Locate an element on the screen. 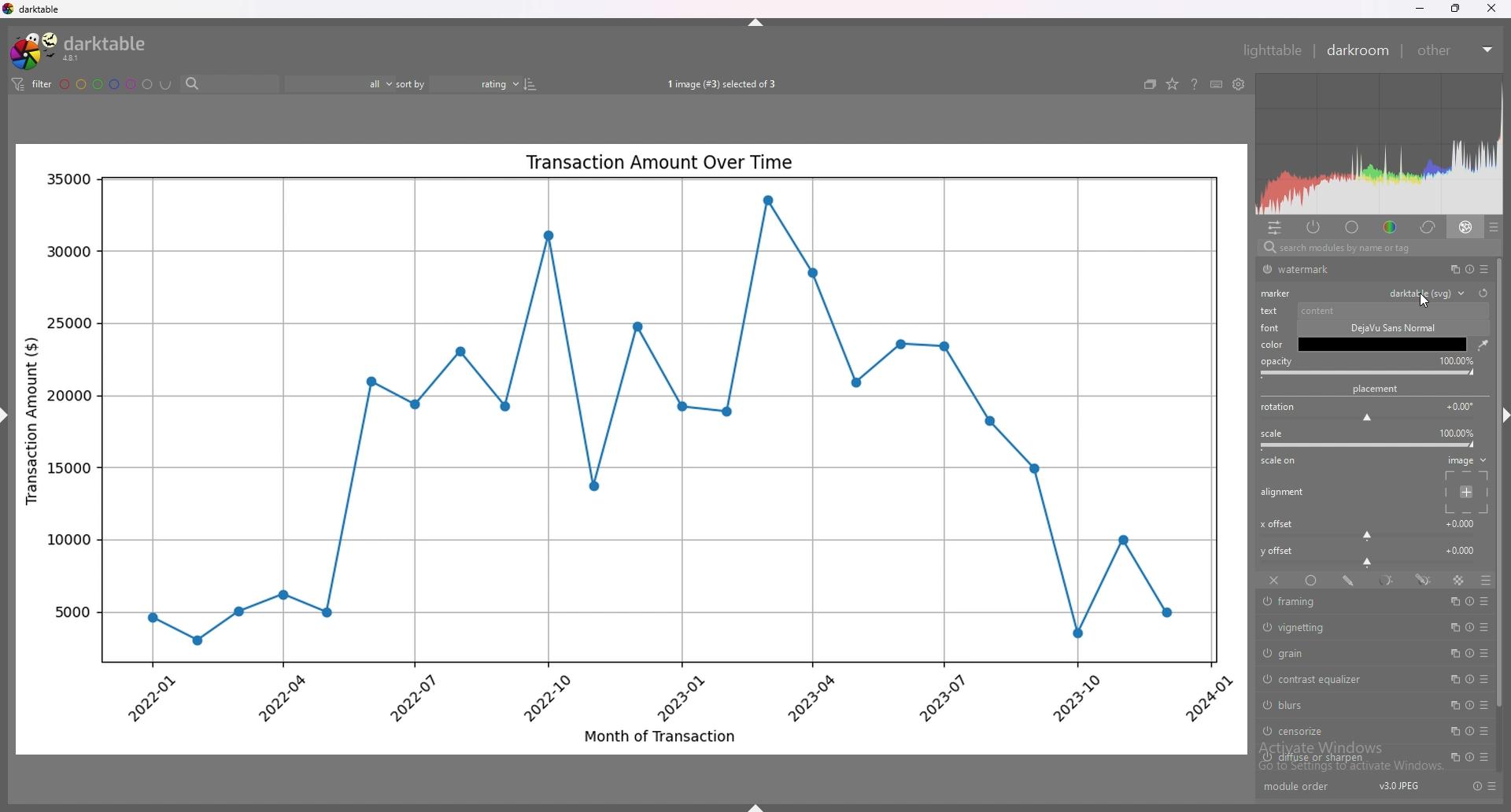  cursor is located at coordinates (1426, 299).